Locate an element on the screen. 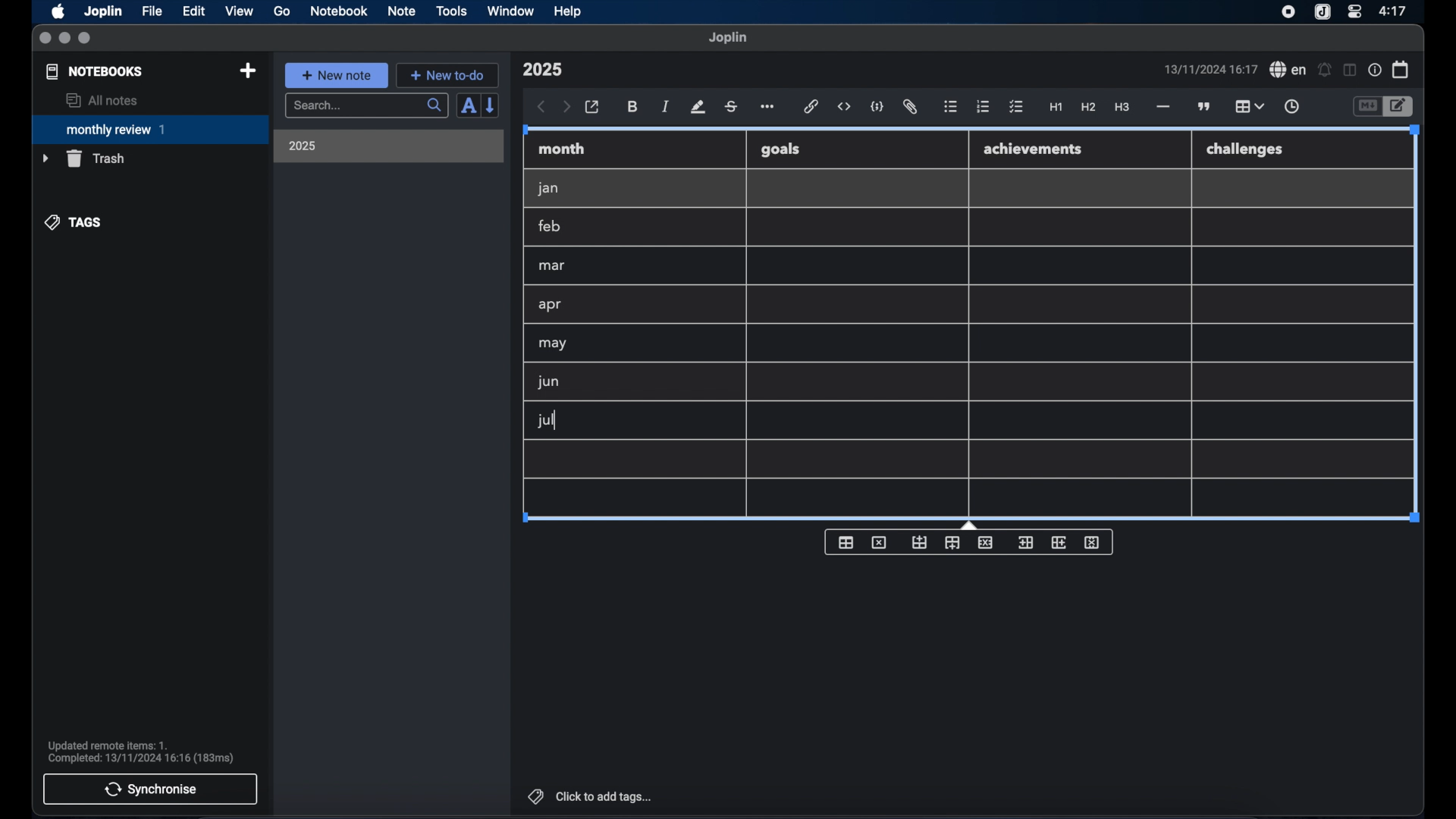 The height and width of the screenshot is (819, 1456). note properties is located at coordinates (1375, 71).